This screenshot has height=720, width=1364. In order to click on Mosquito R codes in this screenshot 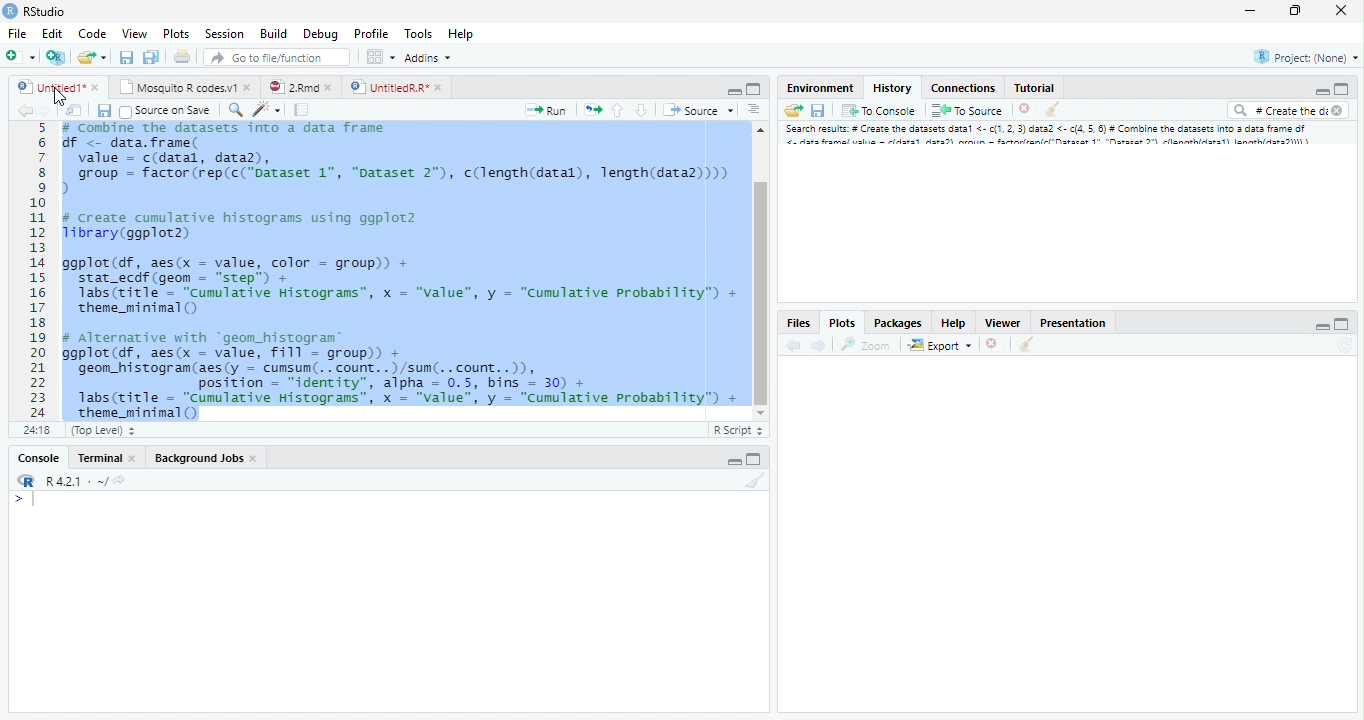, I will do `click(188, 87)`.